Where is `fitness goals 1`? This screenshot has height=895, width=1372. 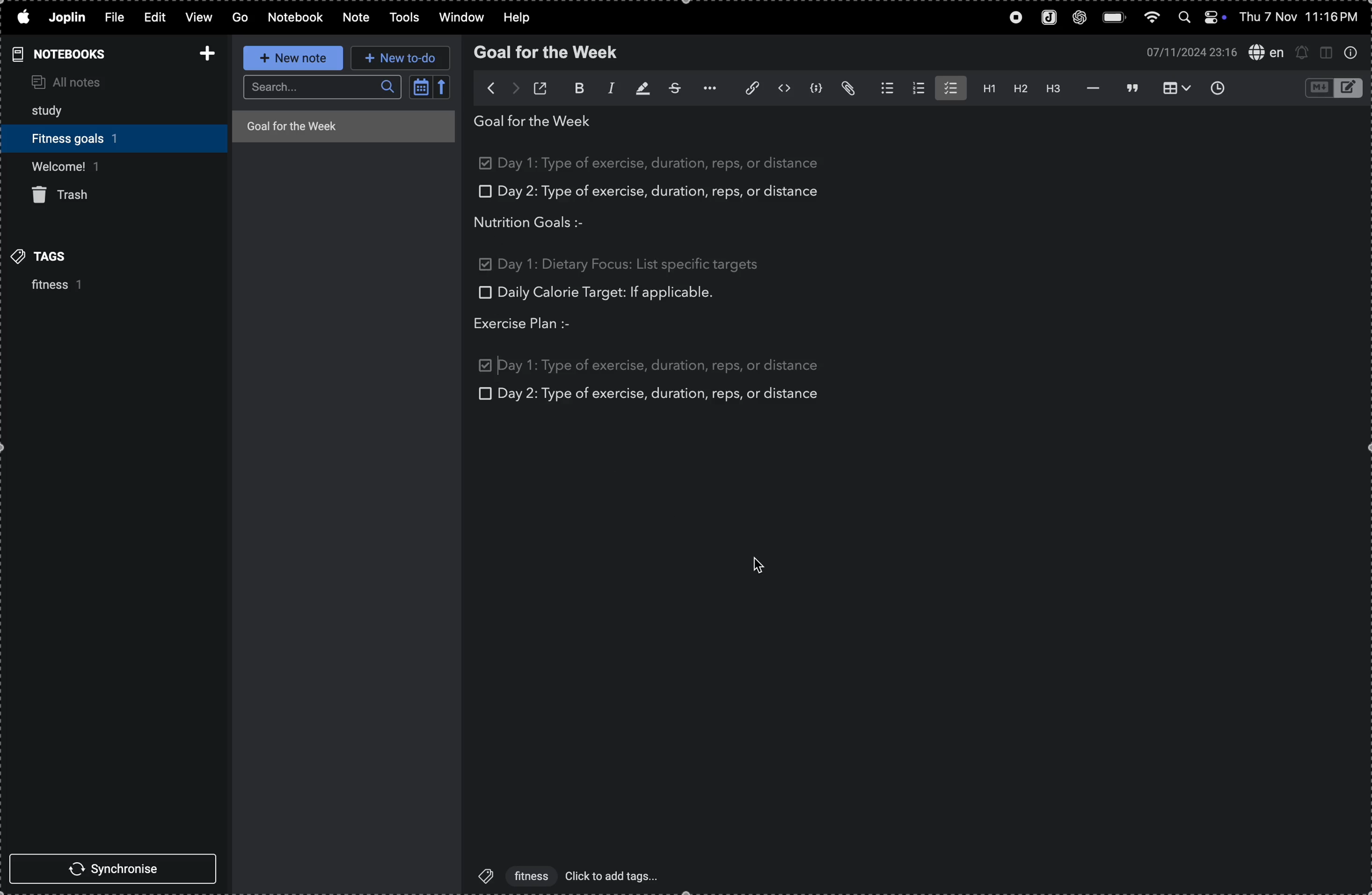 fitness goals 1 is located at coordinates (84, 136).